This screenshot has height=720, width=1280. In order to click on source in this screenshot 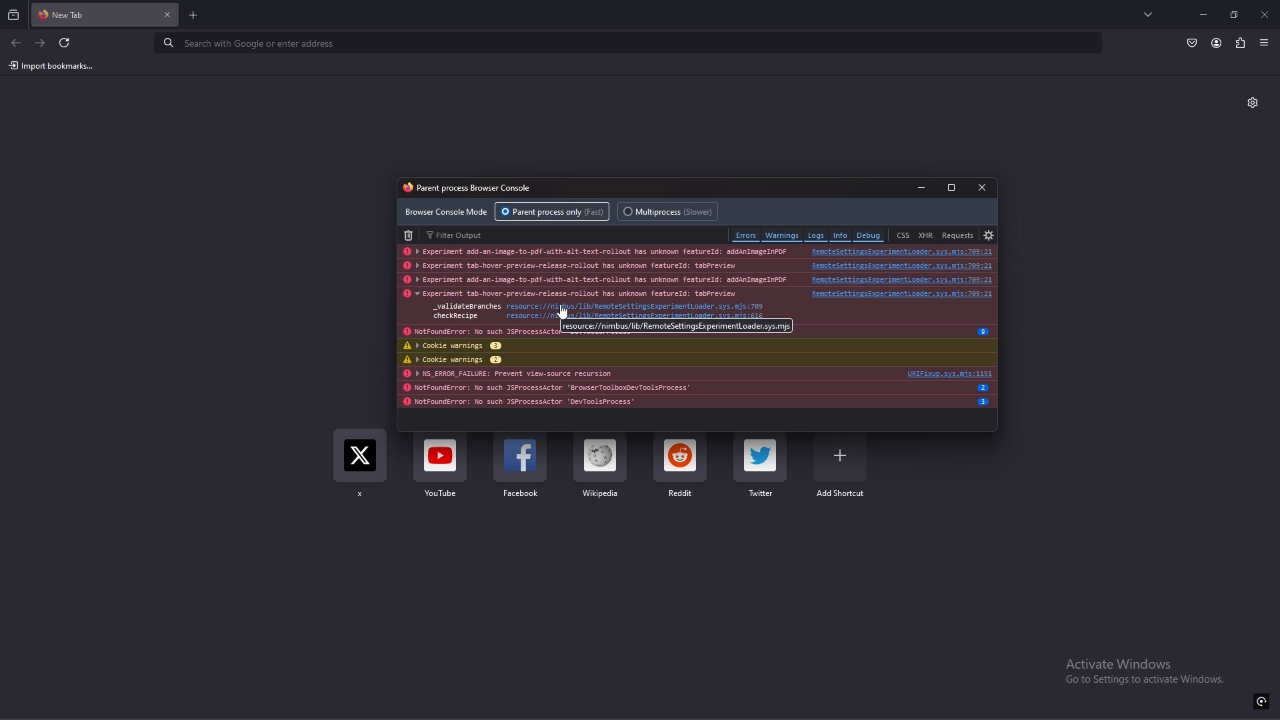, I will do `click(902, 265)`.